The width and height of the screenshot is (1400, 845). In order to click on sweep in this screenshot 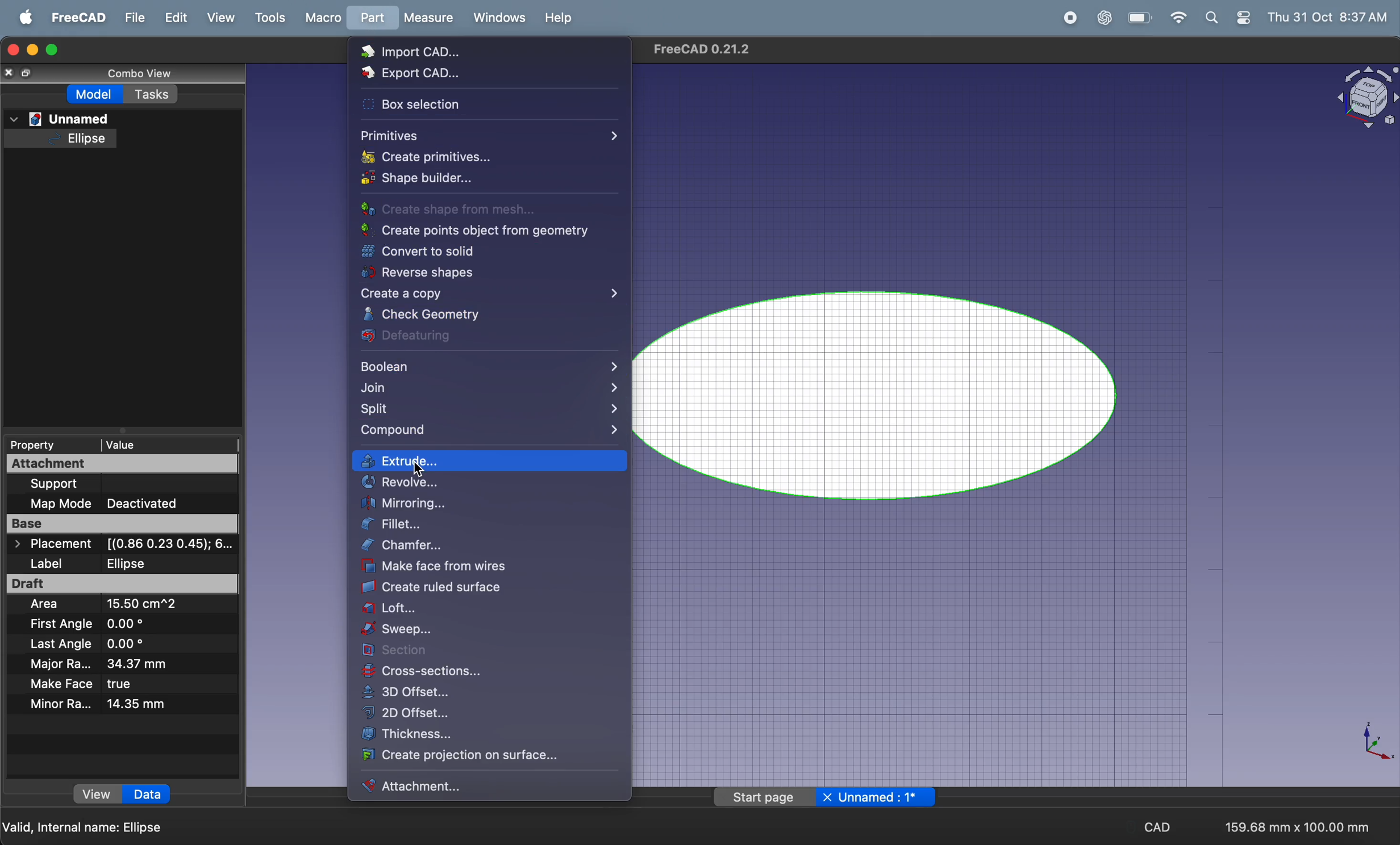, I will do `click(469, 630)`.